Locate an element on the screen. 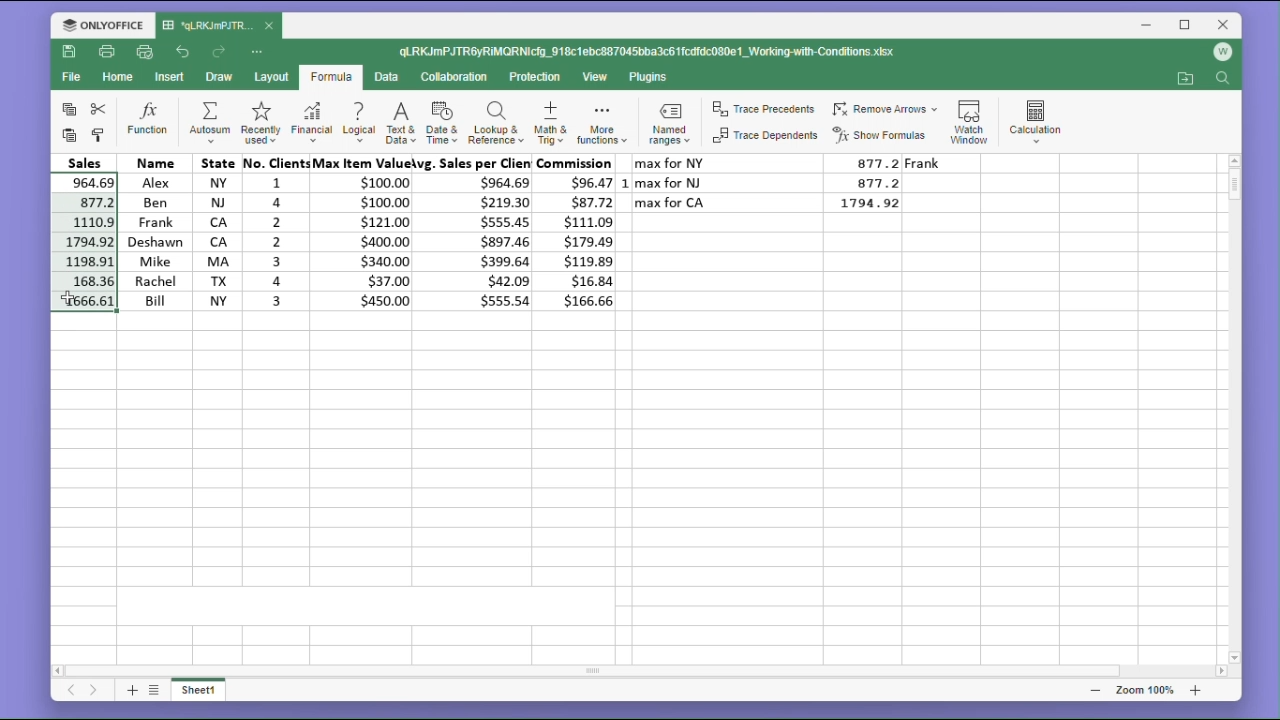 The height and width of the screenshot is (720, 1280). function is located at coordinates (148, 120).